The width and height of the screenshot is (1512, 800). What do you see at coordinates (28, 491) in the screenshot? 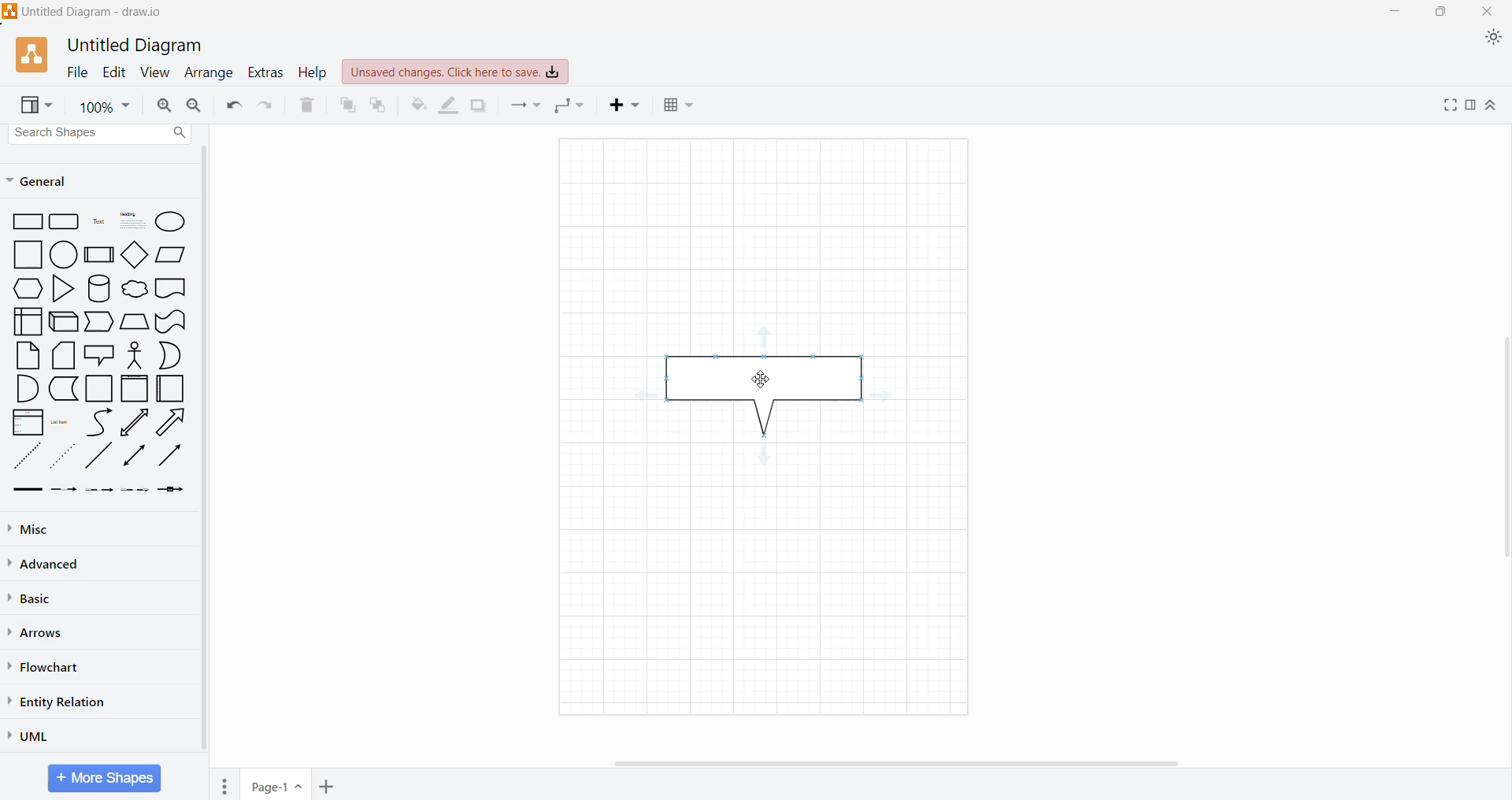
I see `Thick line` at bounding box center [28, 491].